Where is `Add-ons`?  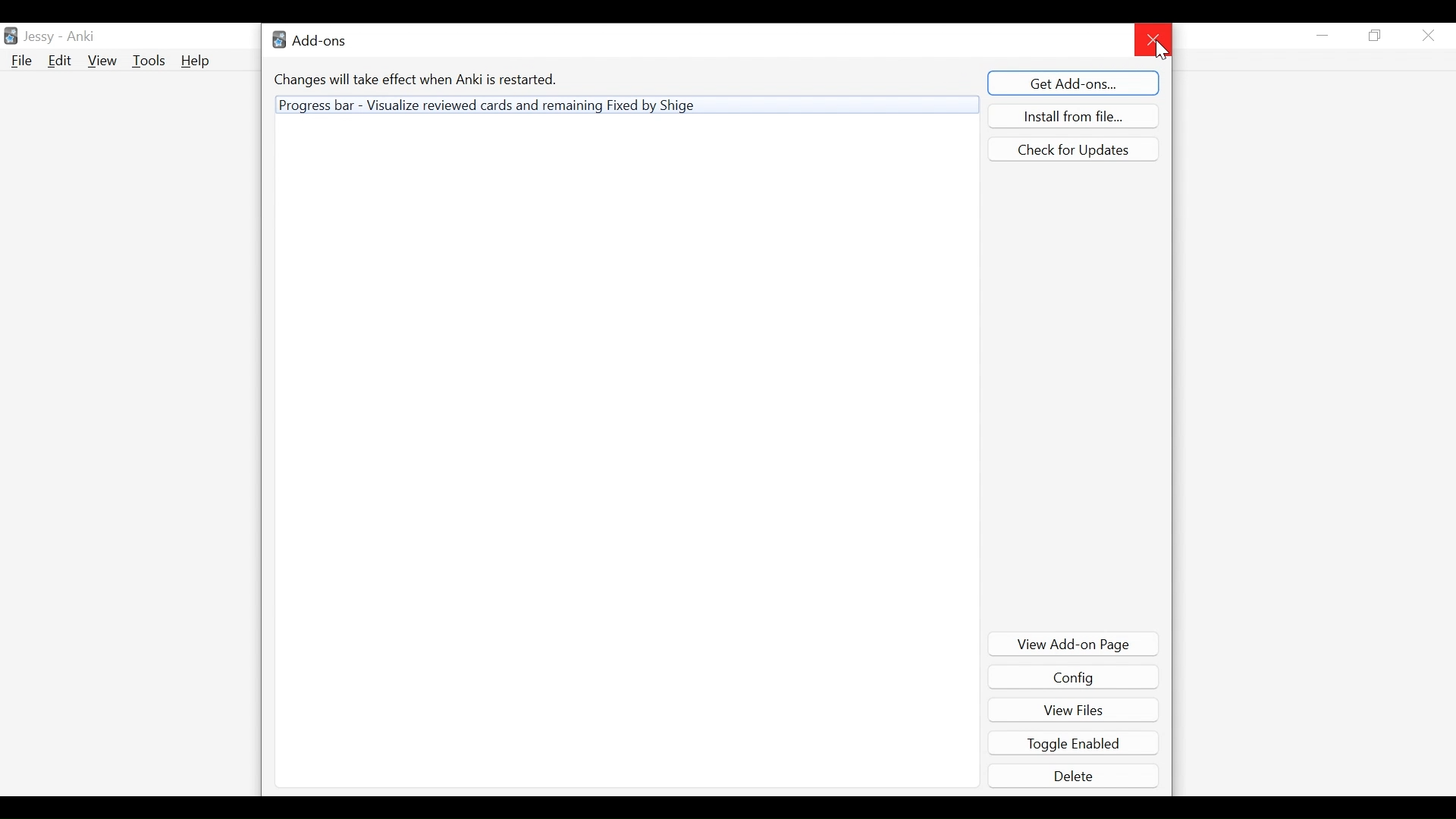
Add-ons is located at coordinates (313, 39).